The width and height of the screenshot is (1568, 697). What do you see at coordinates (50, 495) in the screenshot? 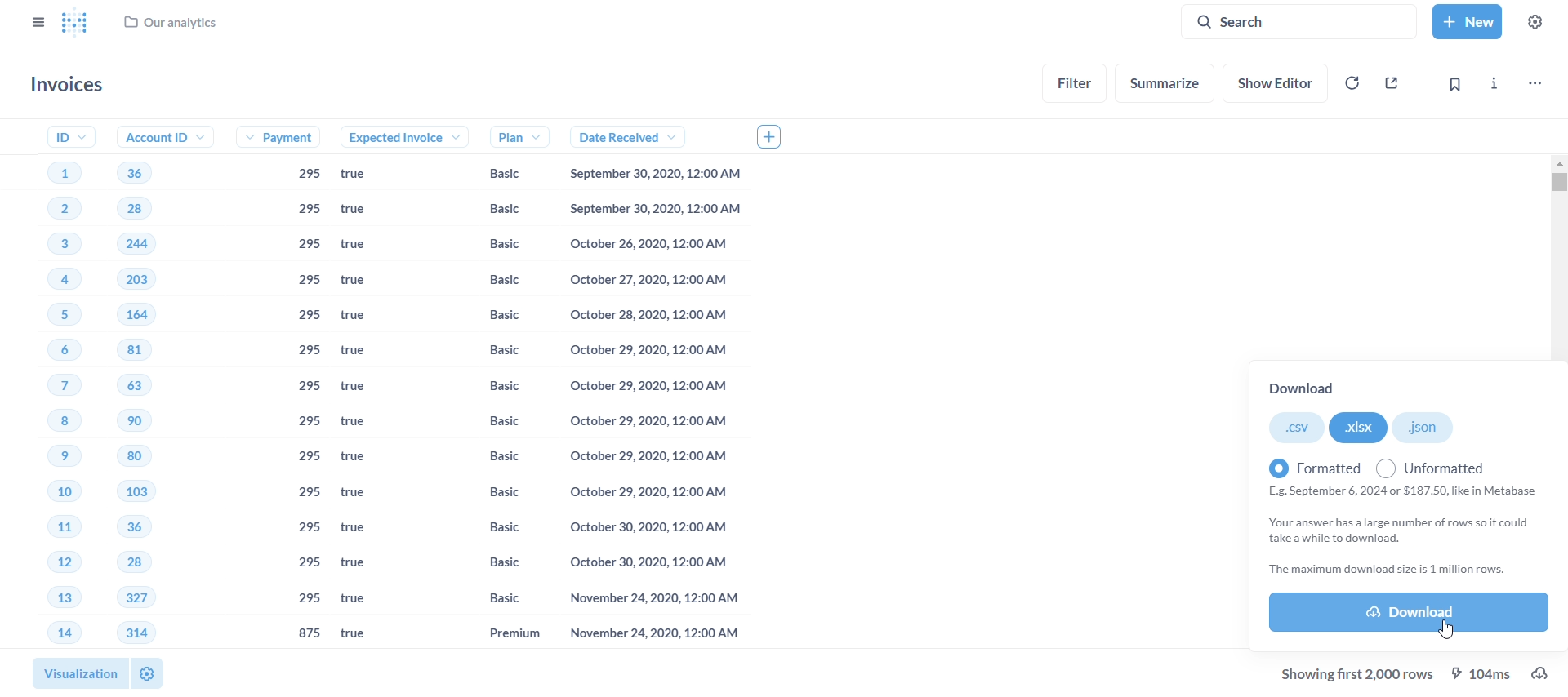
I see `10` at bounding box center [50, 495].